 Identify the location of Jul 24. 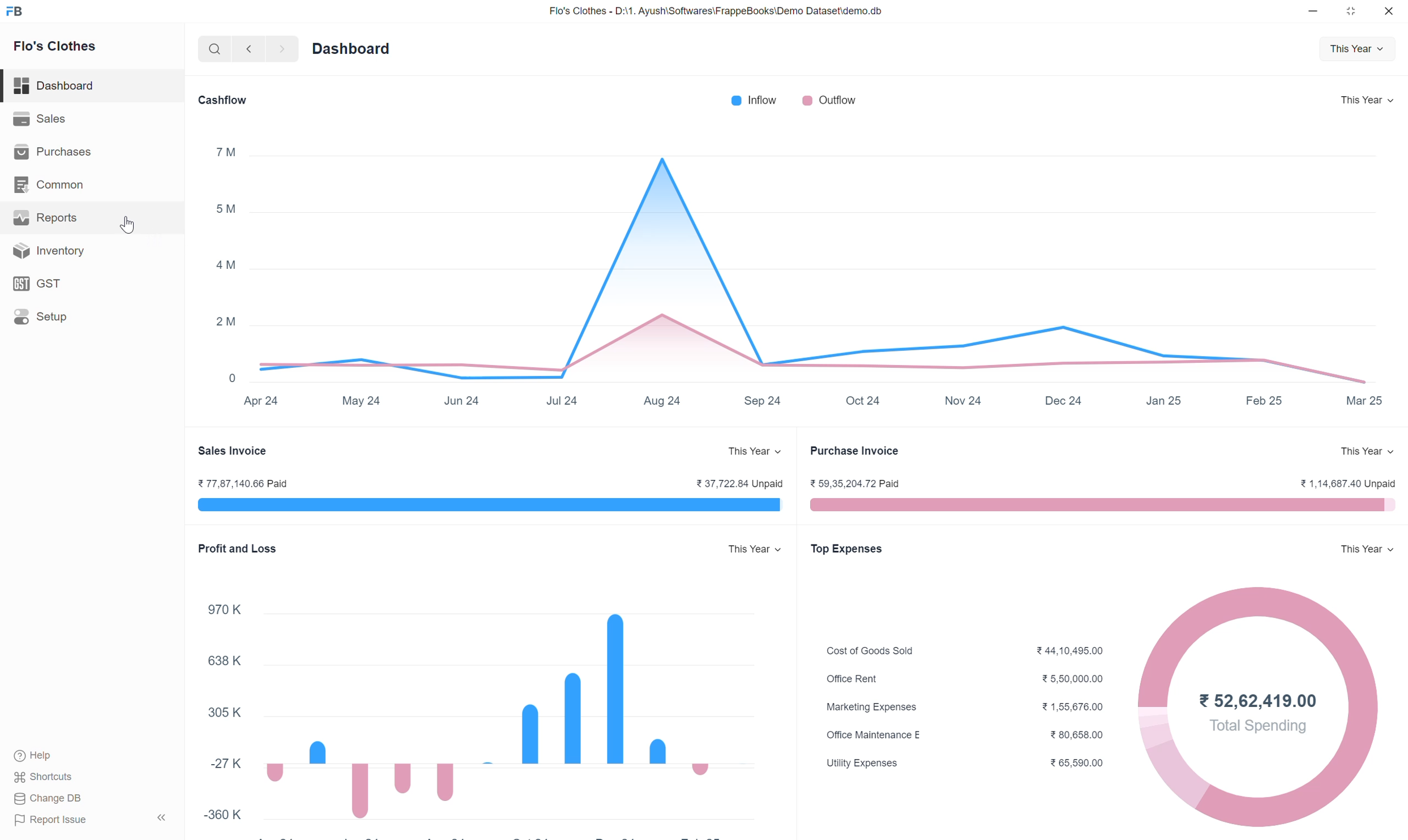
(559, 401).